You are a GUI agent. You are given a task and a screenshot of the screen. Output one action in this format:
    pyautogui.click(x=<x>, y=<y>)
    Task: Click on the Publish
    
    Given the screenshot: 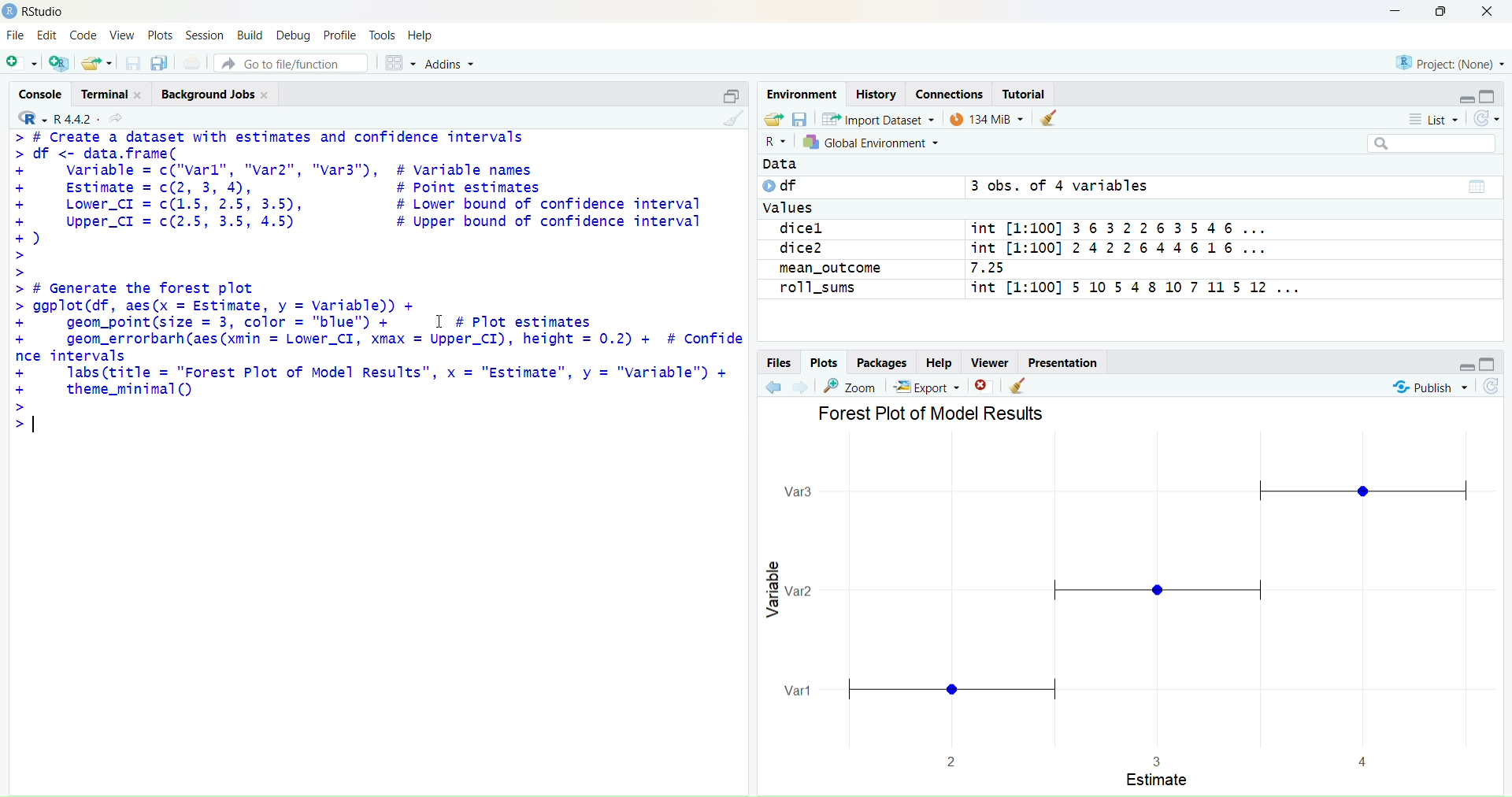 What is the action you would take?
    pyautogui.click(x=1429, y=388)
    